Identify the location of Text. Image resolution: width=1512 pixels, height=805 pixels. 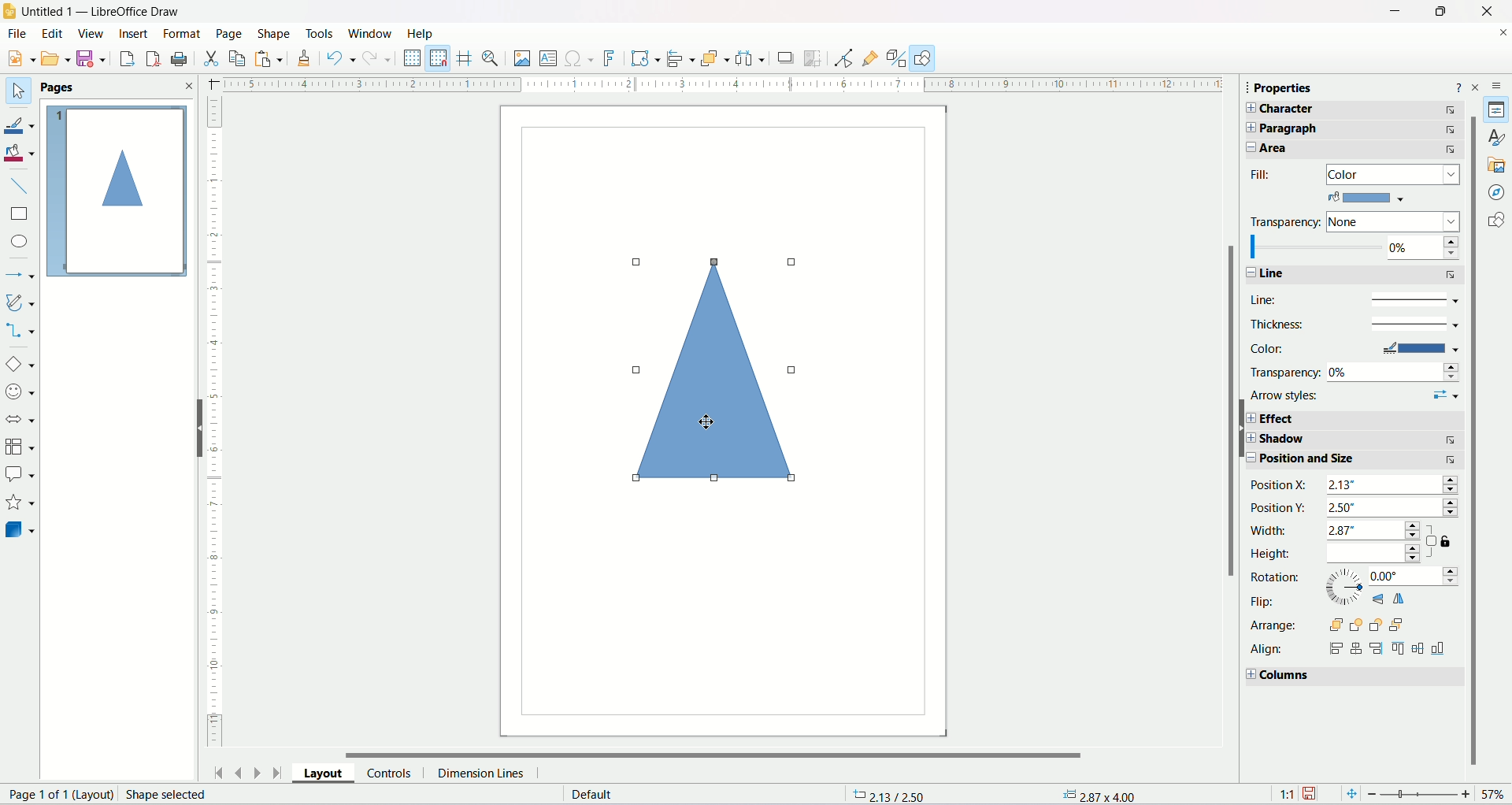
(894, 796).